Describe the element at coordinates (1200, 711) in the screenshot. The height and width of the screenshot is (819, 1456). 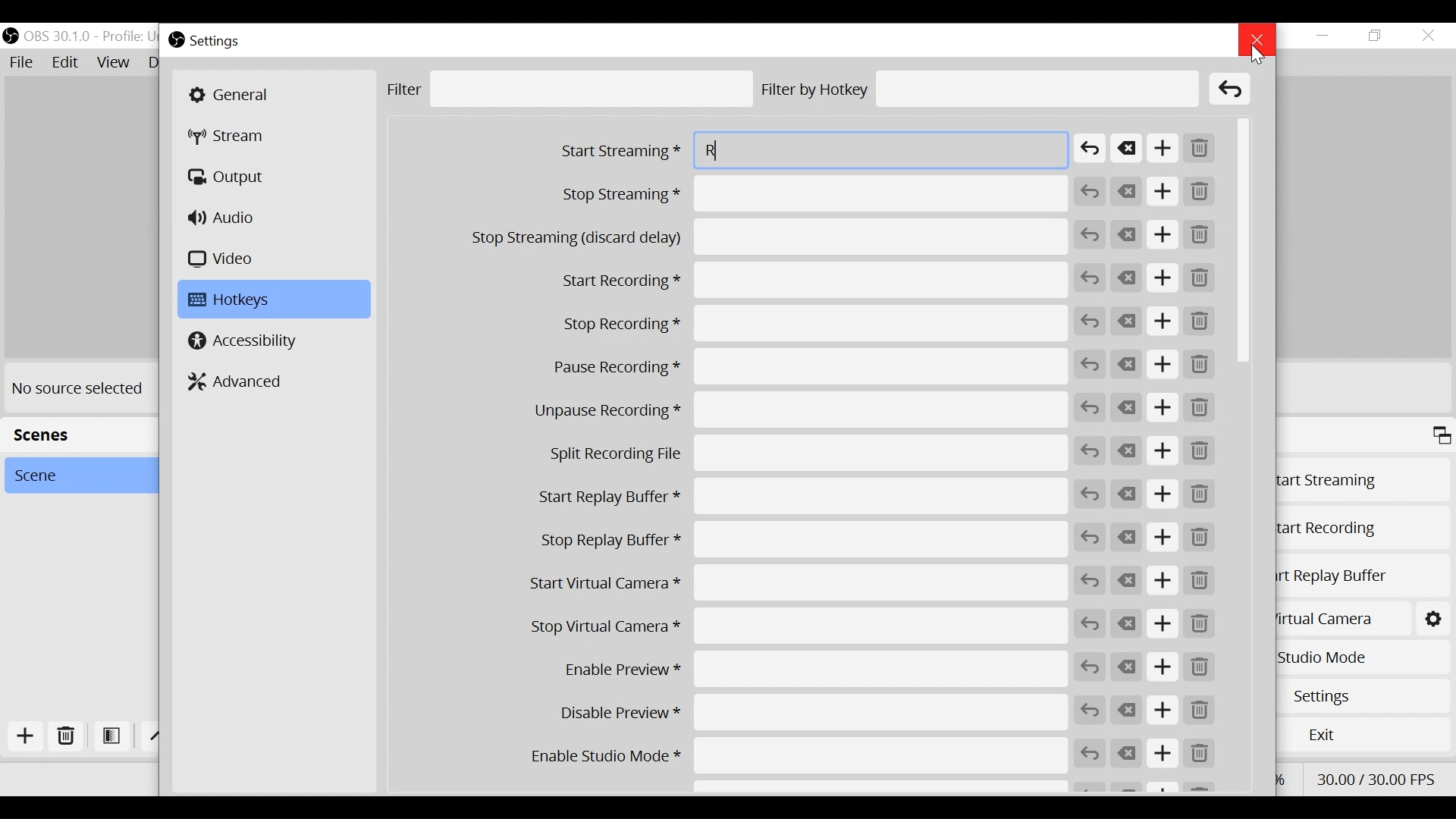
I see `Remove` at that location.